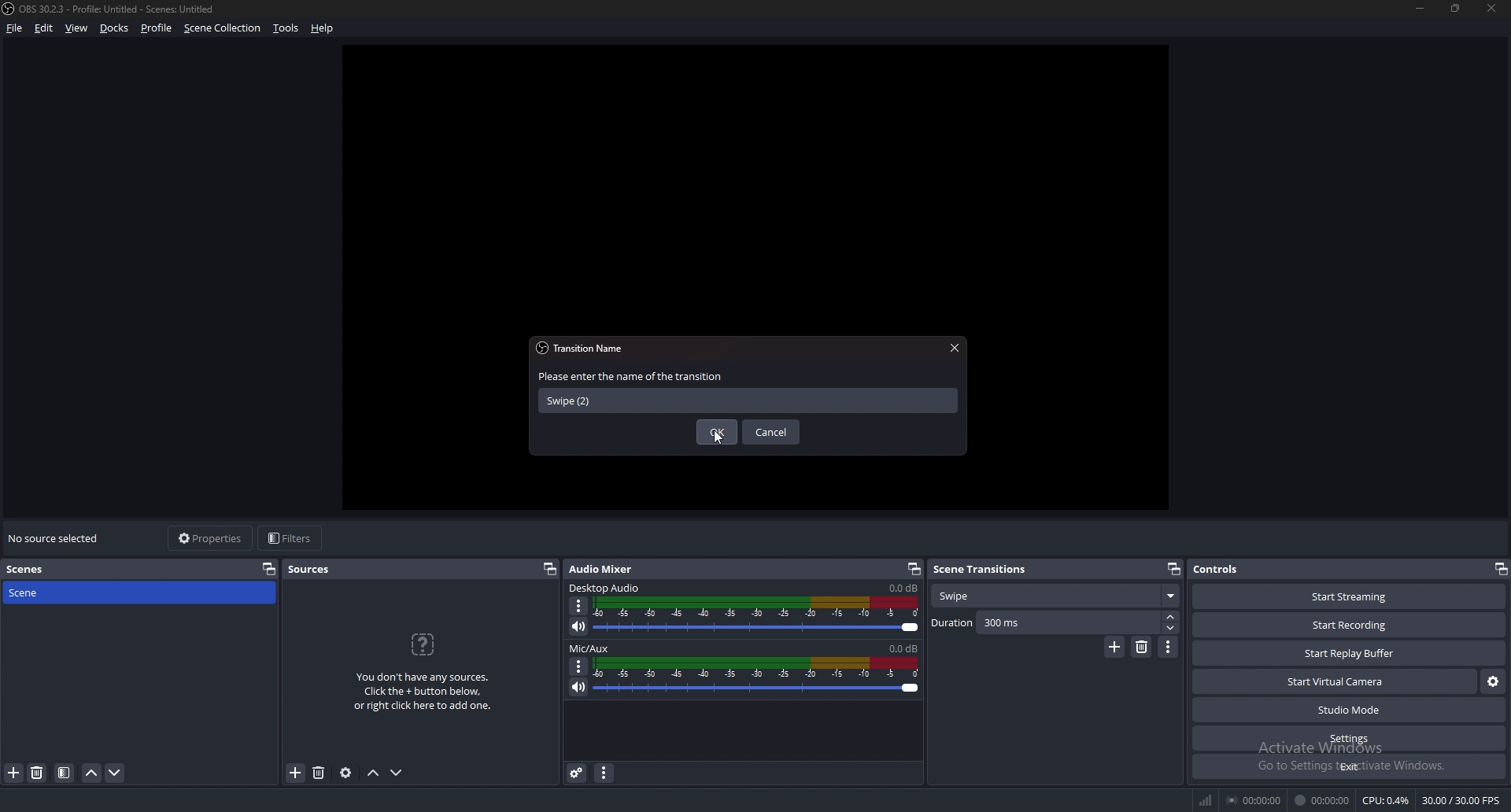 The height and width of the screenshot is (812, 1511). I want to click on pop out, so click(1500, 570).